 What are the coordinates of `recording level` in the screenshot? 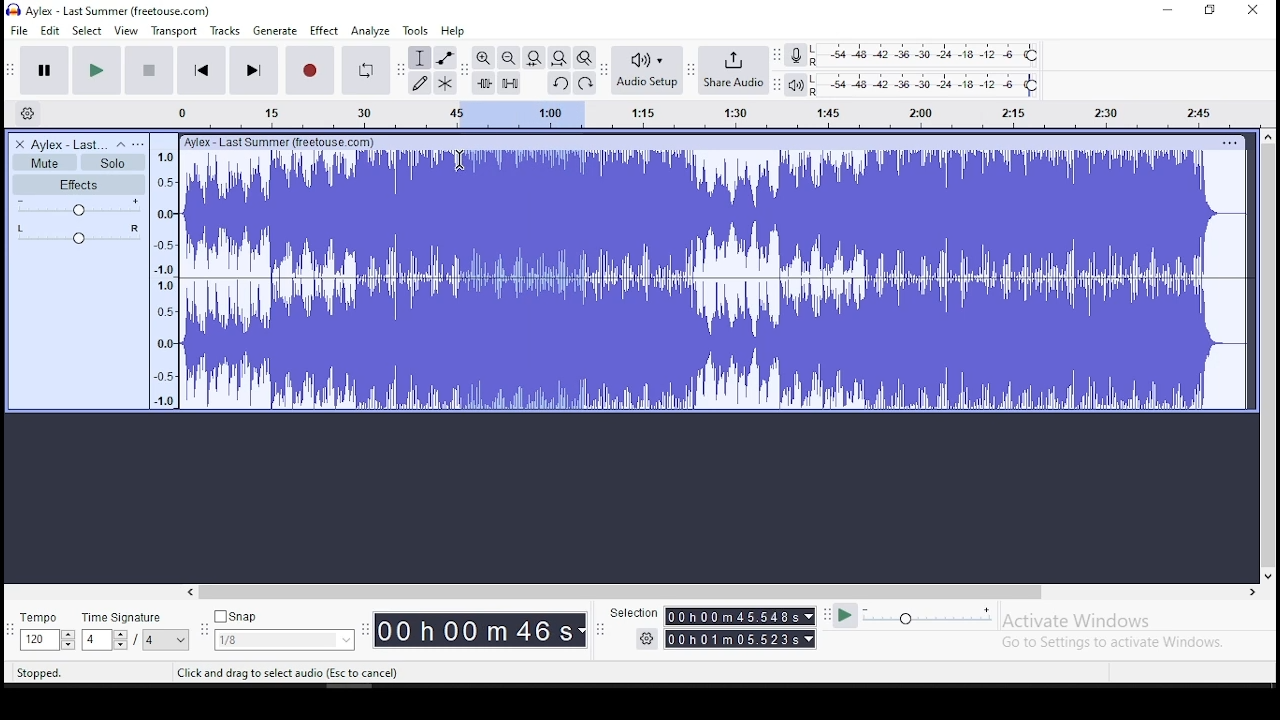 It's located at (932, 54).